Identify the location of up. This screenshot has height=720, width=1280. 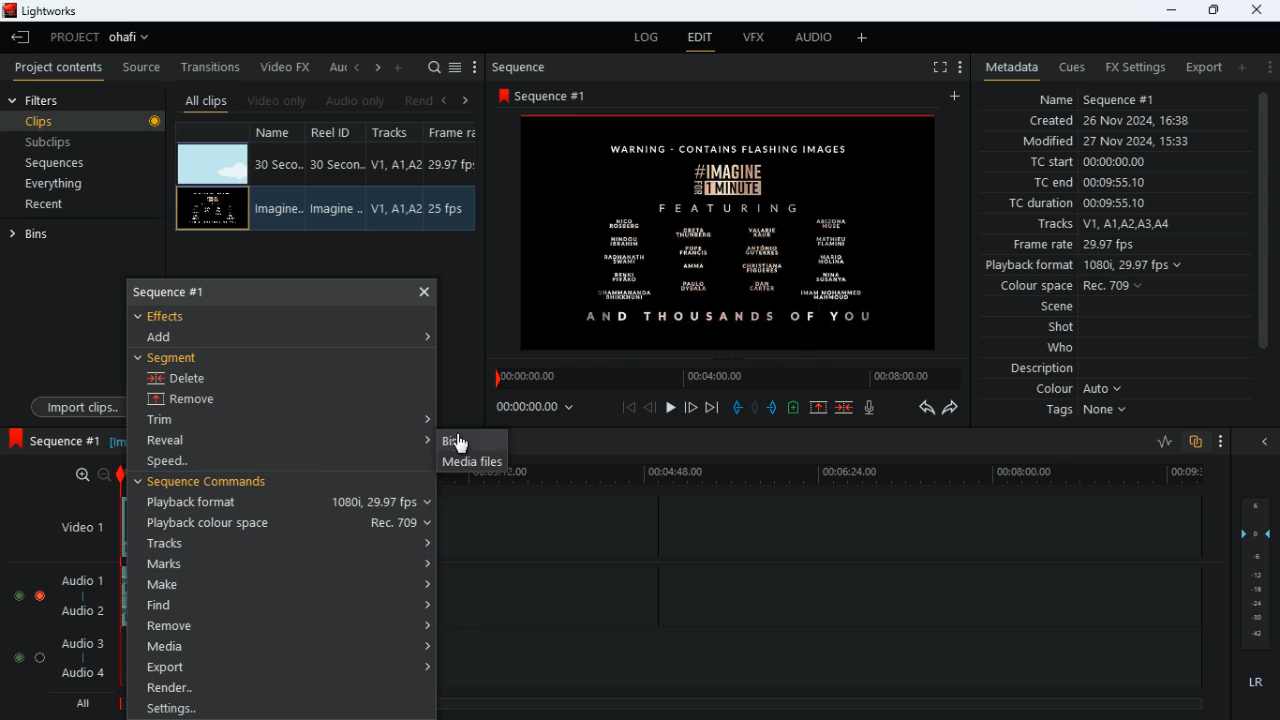
(817, 408).